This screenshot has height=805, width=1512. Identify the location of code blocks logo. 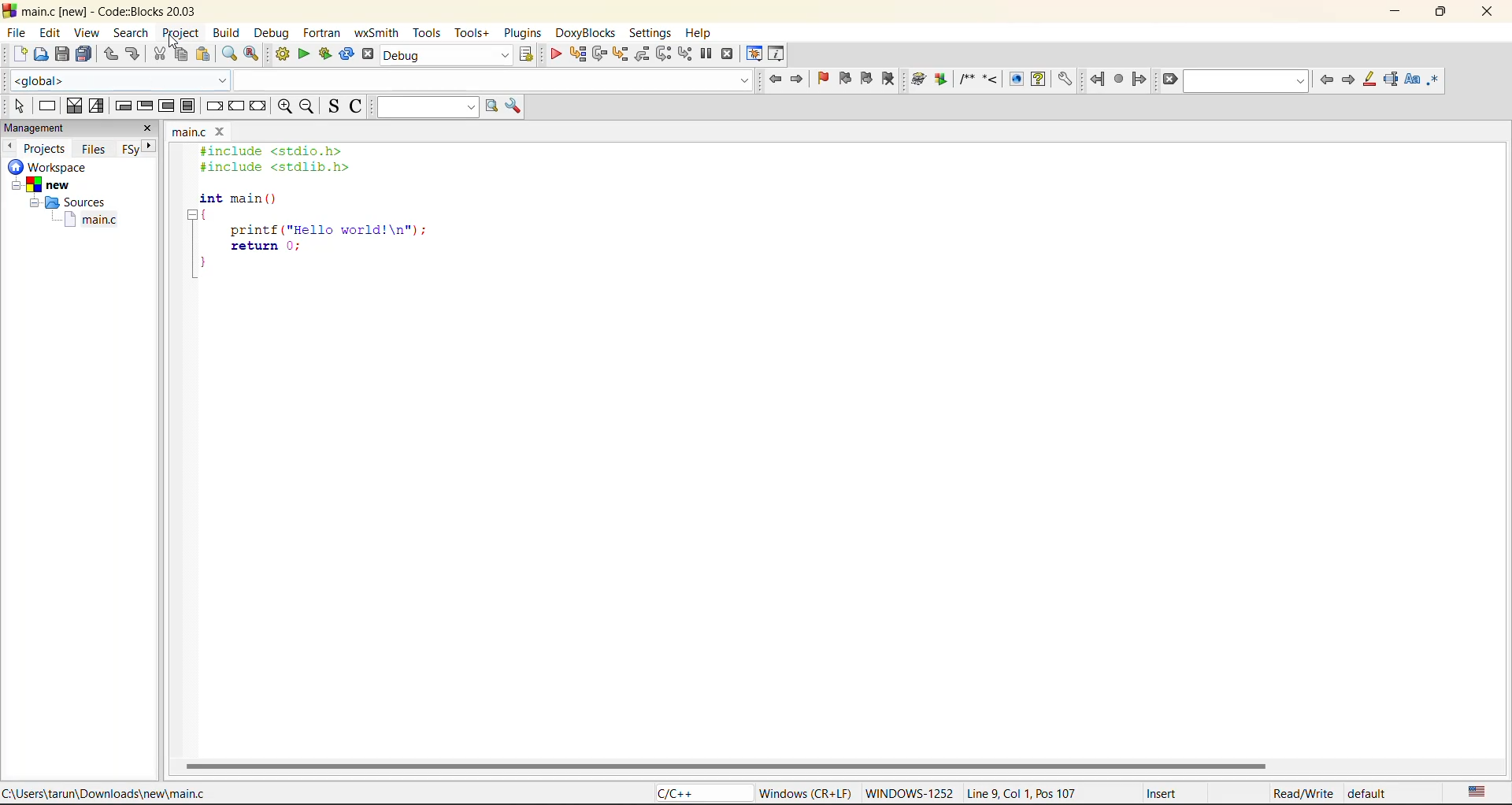
(9, 11).